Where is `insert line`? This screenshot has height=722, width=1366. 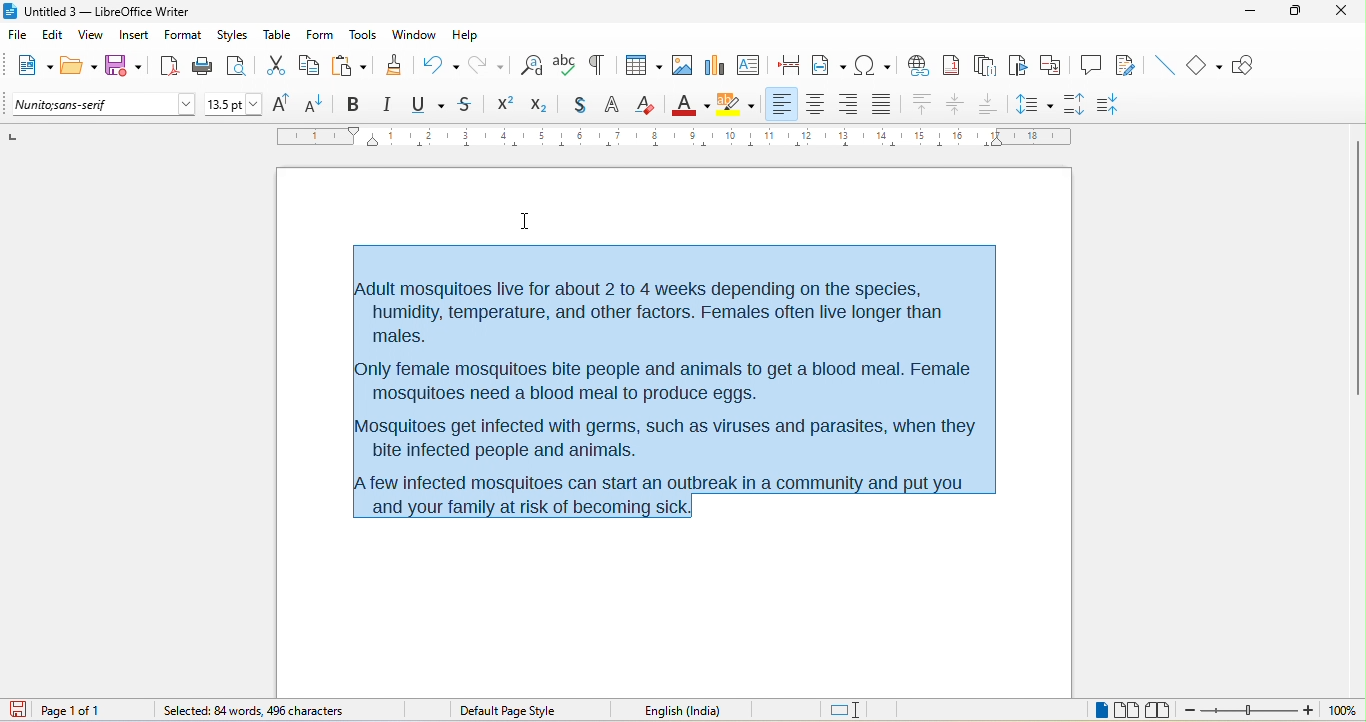 insert line is located at coordinates (1163, 65).